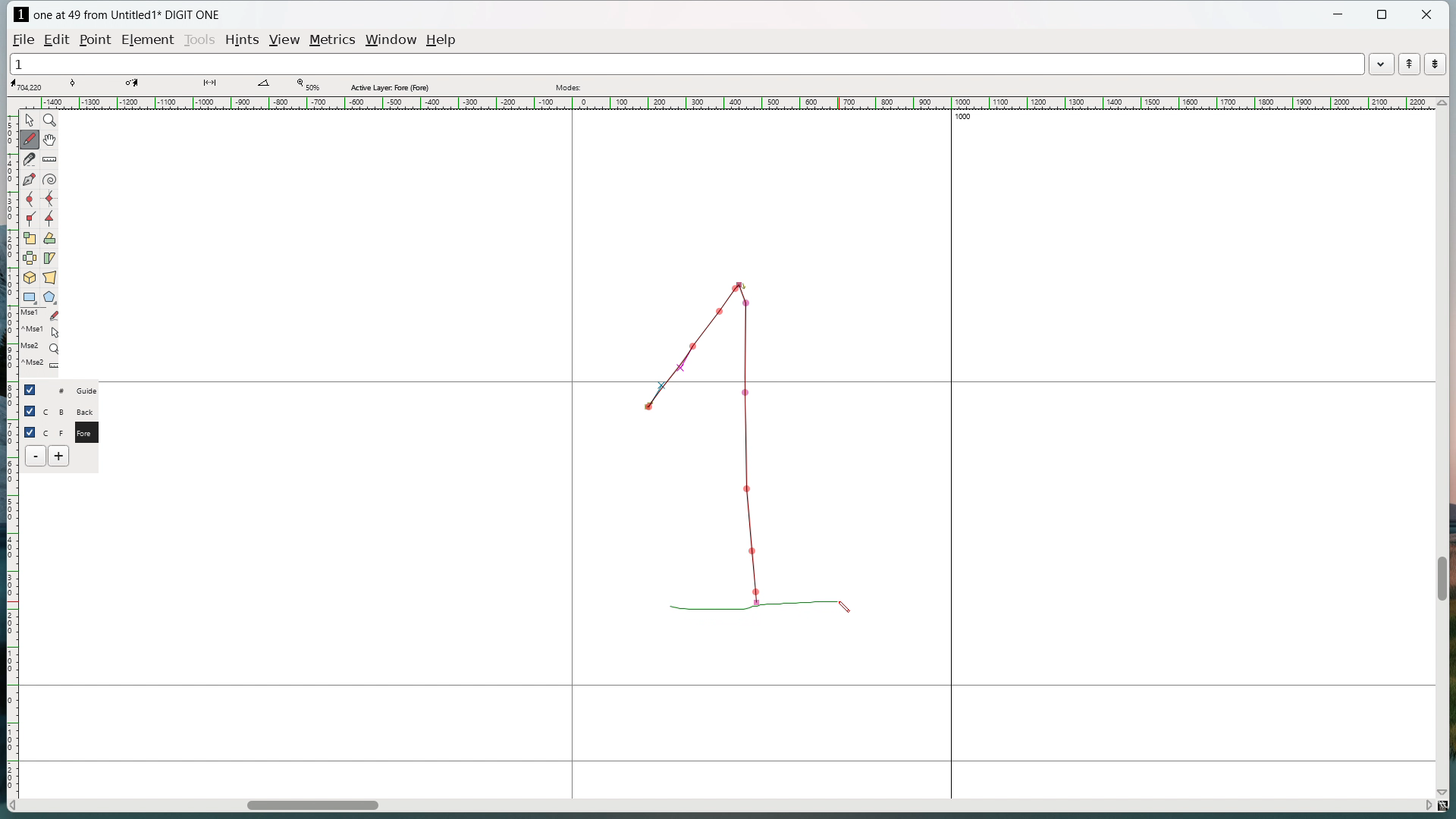  I want to click on draw freehand curve , so click(31, 139).